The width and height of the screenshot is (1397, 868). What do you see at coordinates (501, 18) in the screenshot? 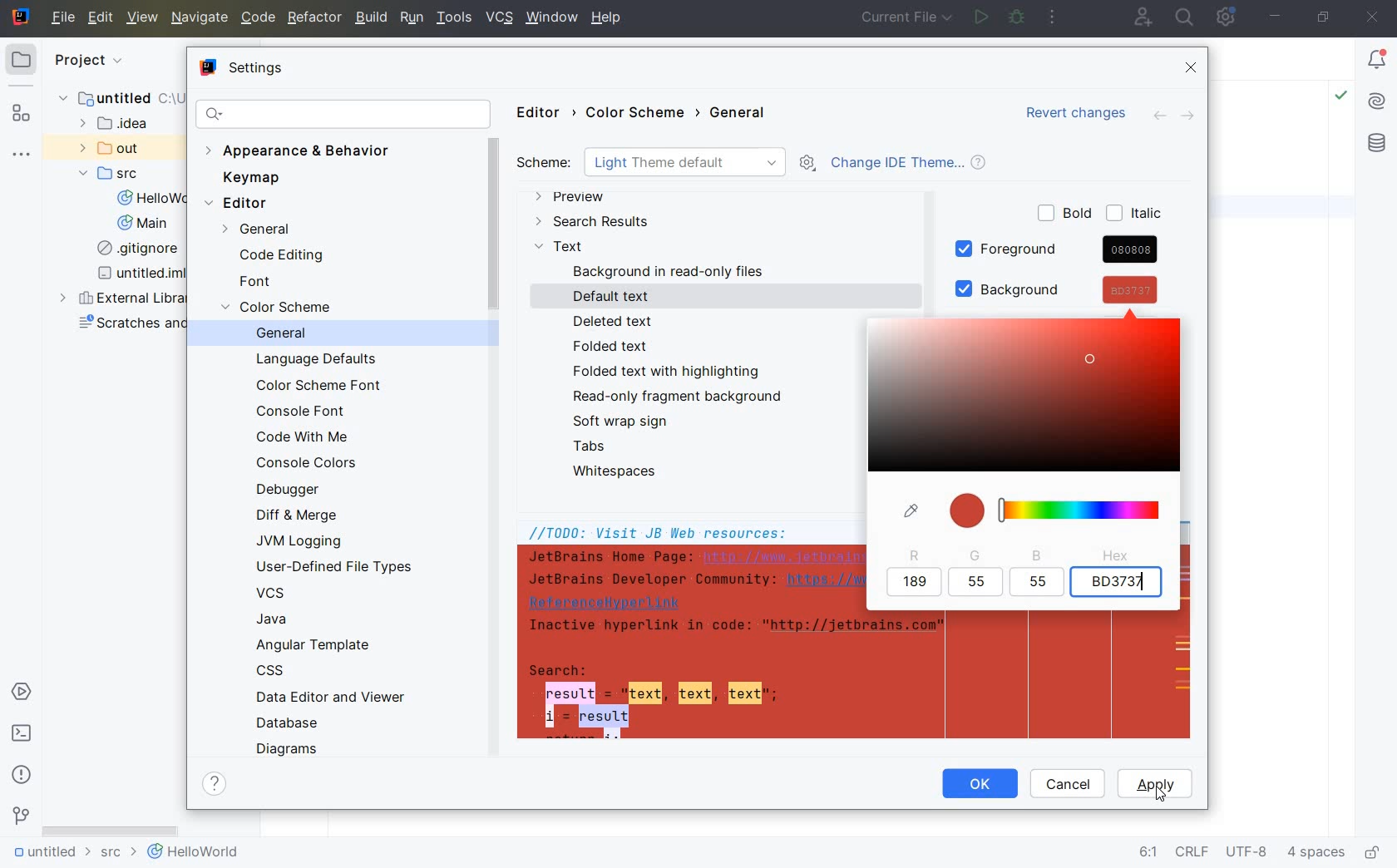
I see `VCS` at bounding box center [501, 18].